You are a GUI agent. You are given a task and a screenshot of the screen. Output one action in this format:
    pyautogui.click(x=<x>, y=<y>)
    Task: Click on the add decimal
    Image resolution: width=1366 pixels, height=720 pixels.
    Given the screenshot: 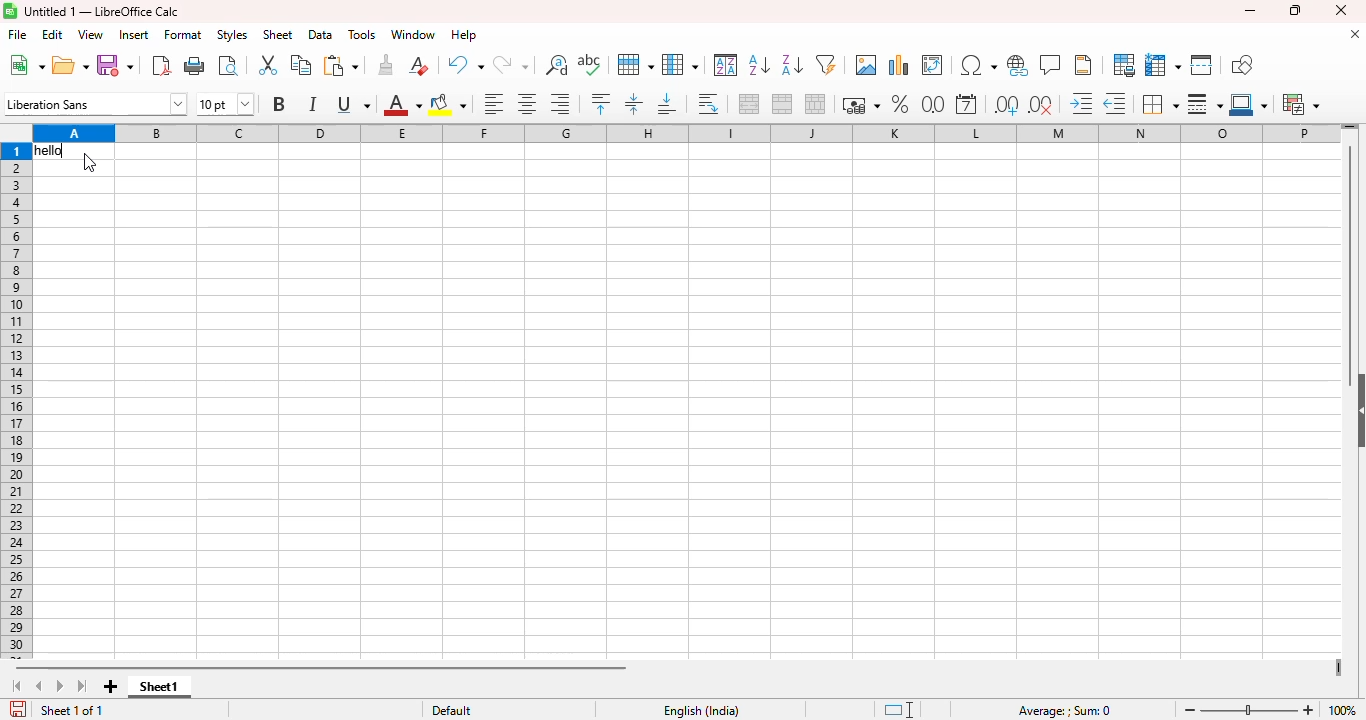 What is the action you would take?
    pyautogui.click(x=1007, y=105)
    